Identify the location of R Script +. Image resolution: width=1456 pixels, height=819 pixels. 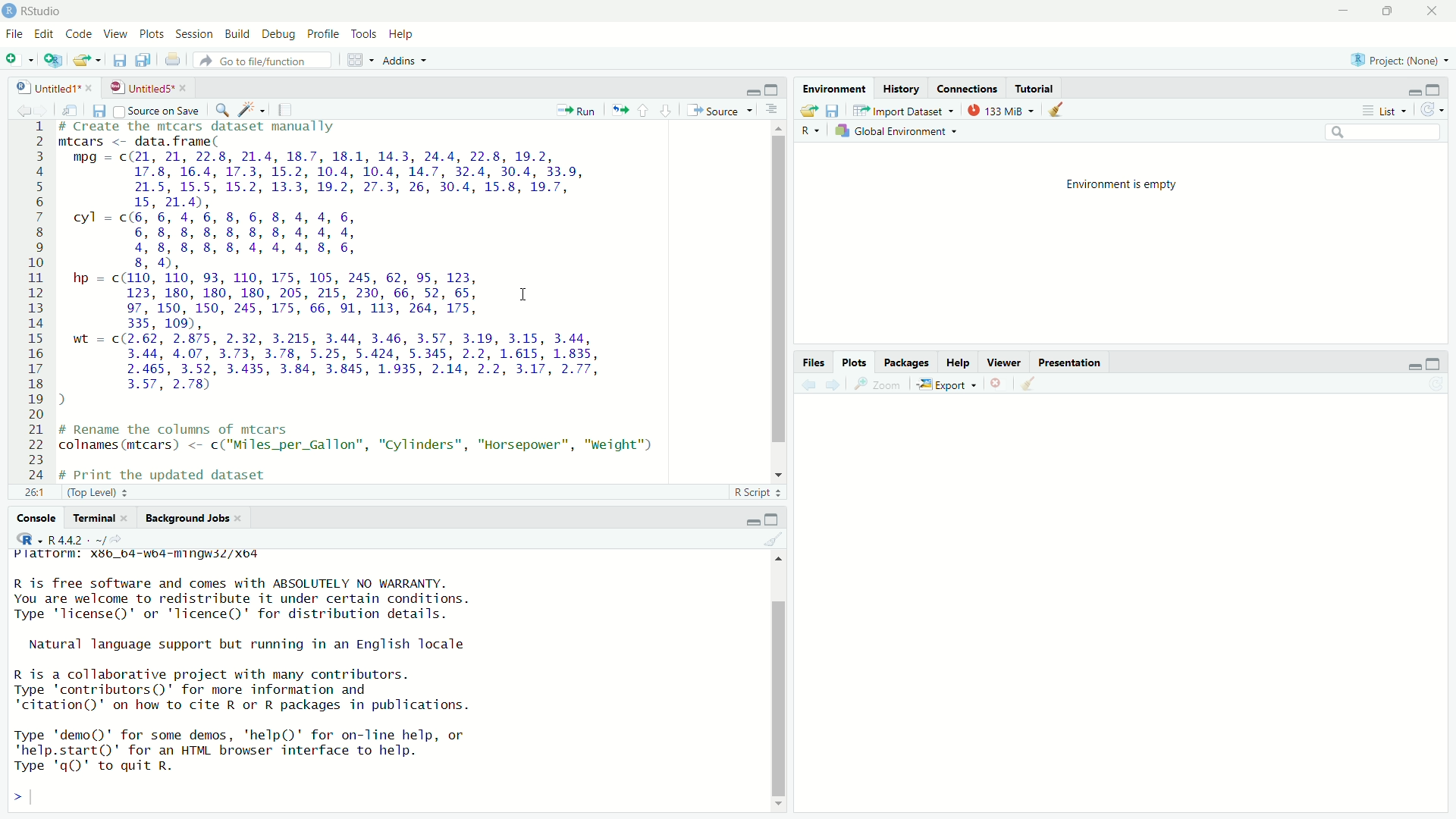
(754, 494).